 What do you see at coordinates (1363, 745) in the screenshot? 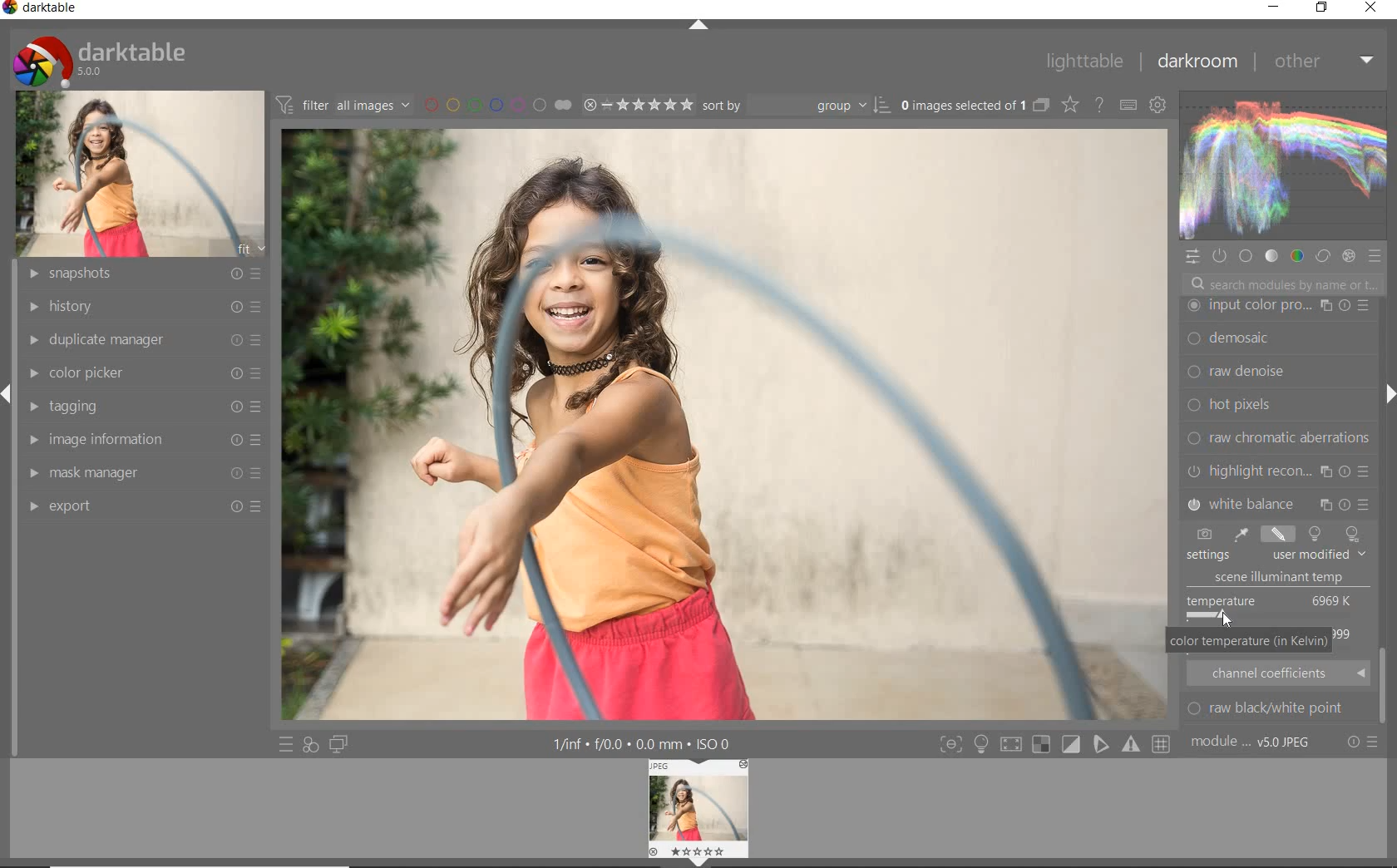
I see `reset or preset preference` at bounding box center [1363, 745].